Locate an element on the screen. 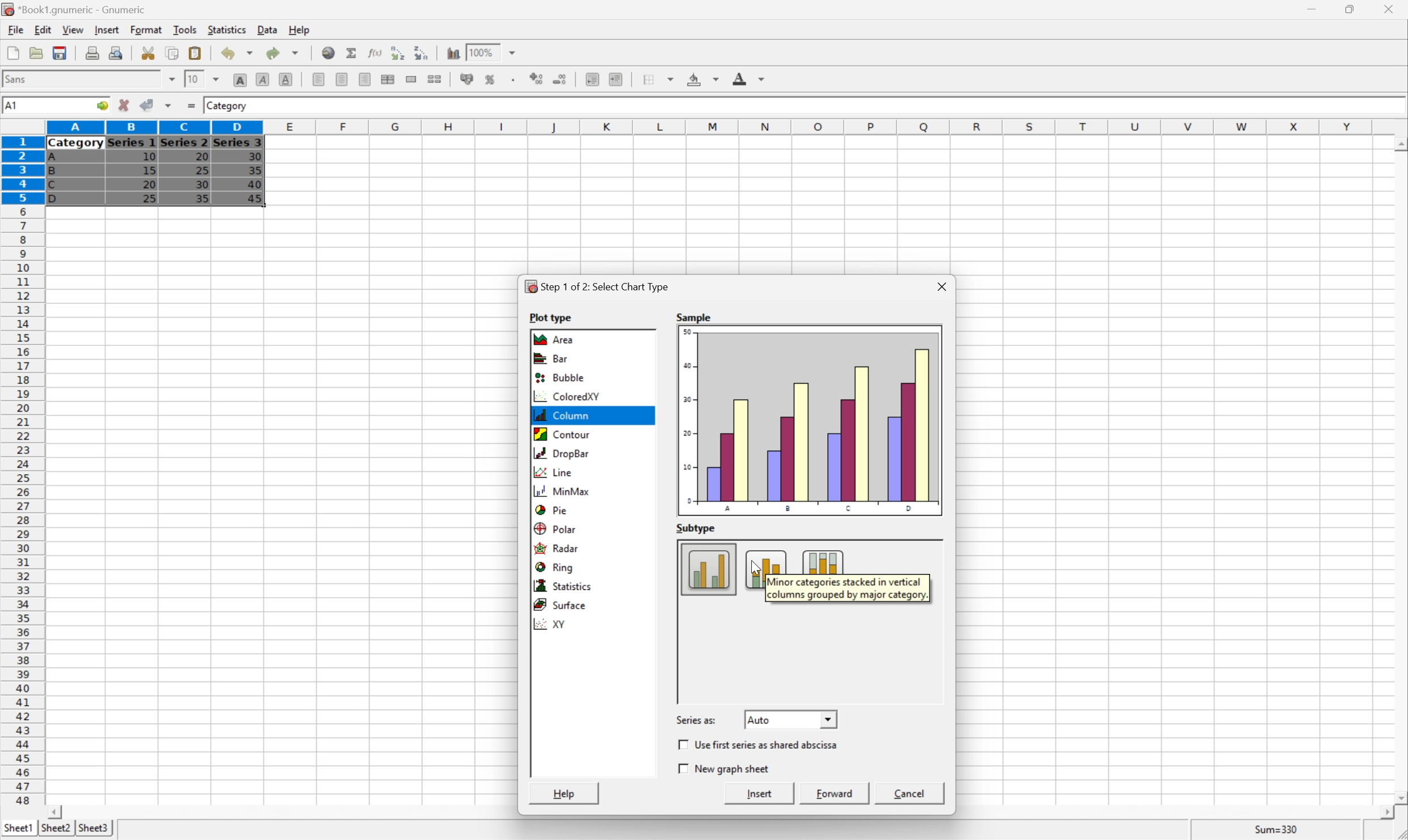  Enter formula is located at coordinates (193, 104).